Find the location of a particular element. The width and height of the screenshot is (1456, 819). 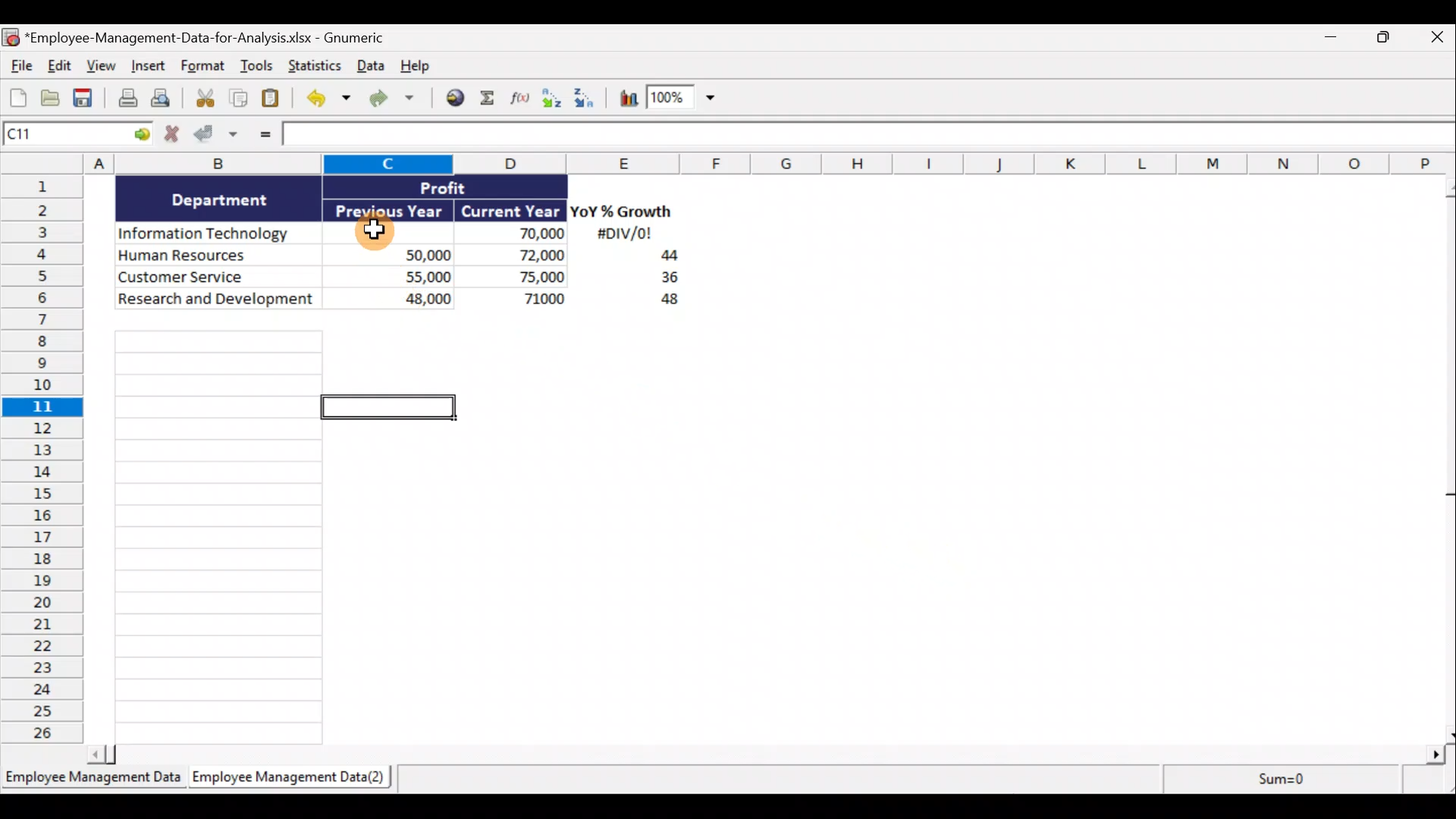

Cut selection is located at coordinates (204, 99).